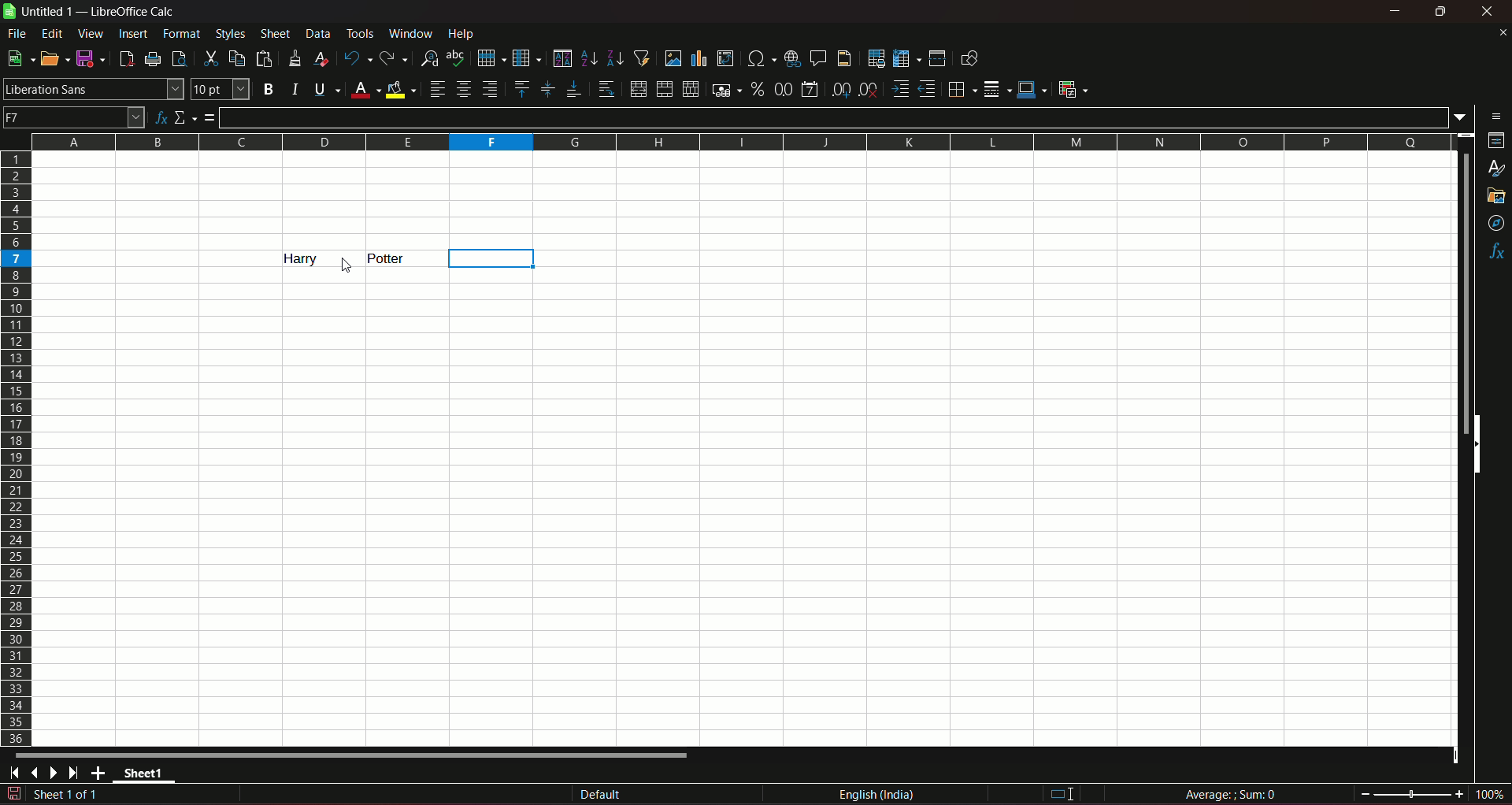  I want to click on scroll to first, so click(9, 775).